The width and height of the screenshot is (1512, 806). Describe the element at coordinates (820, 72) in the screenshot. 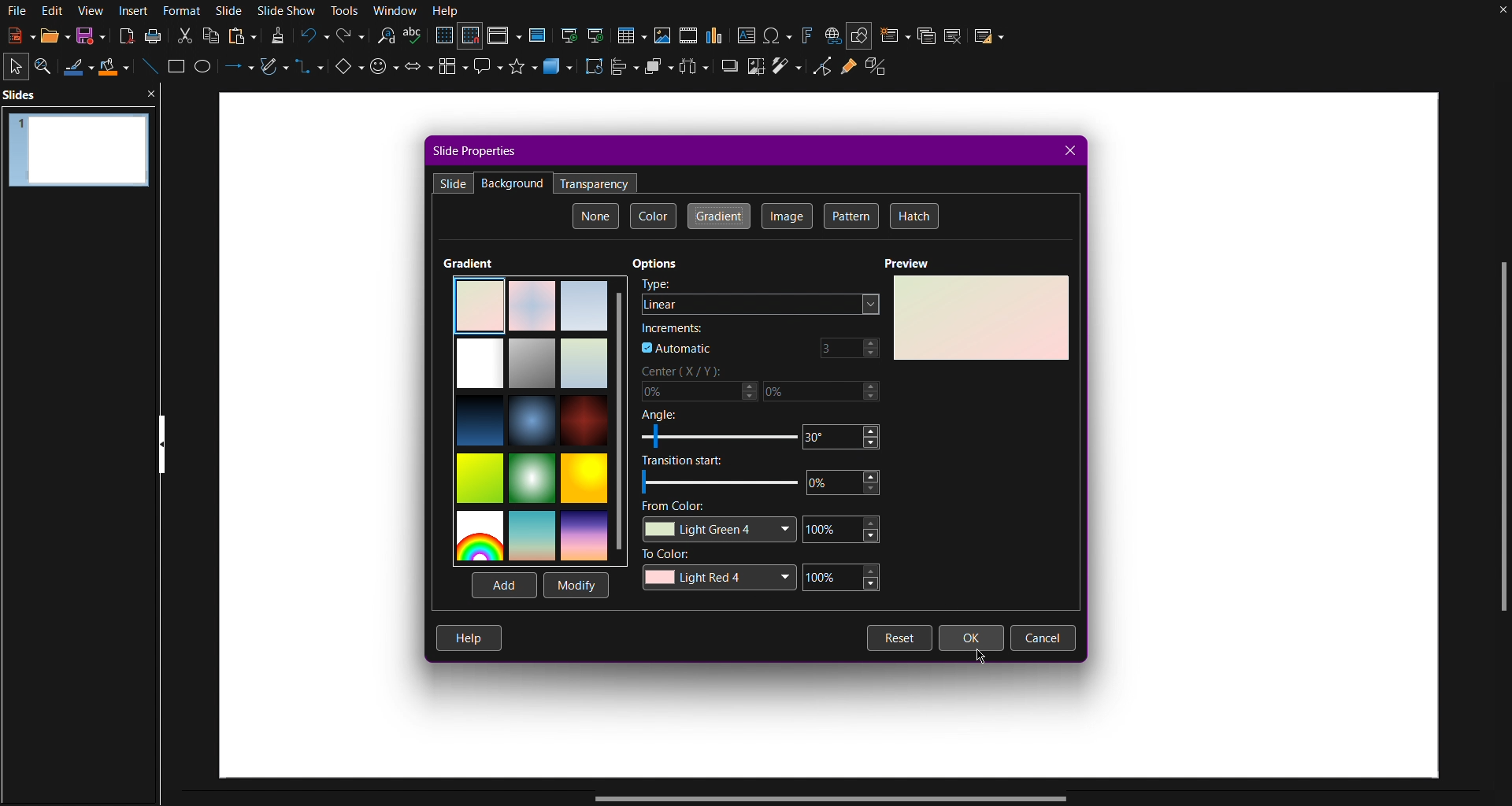

I see `Toggle Point Edit` at that location.